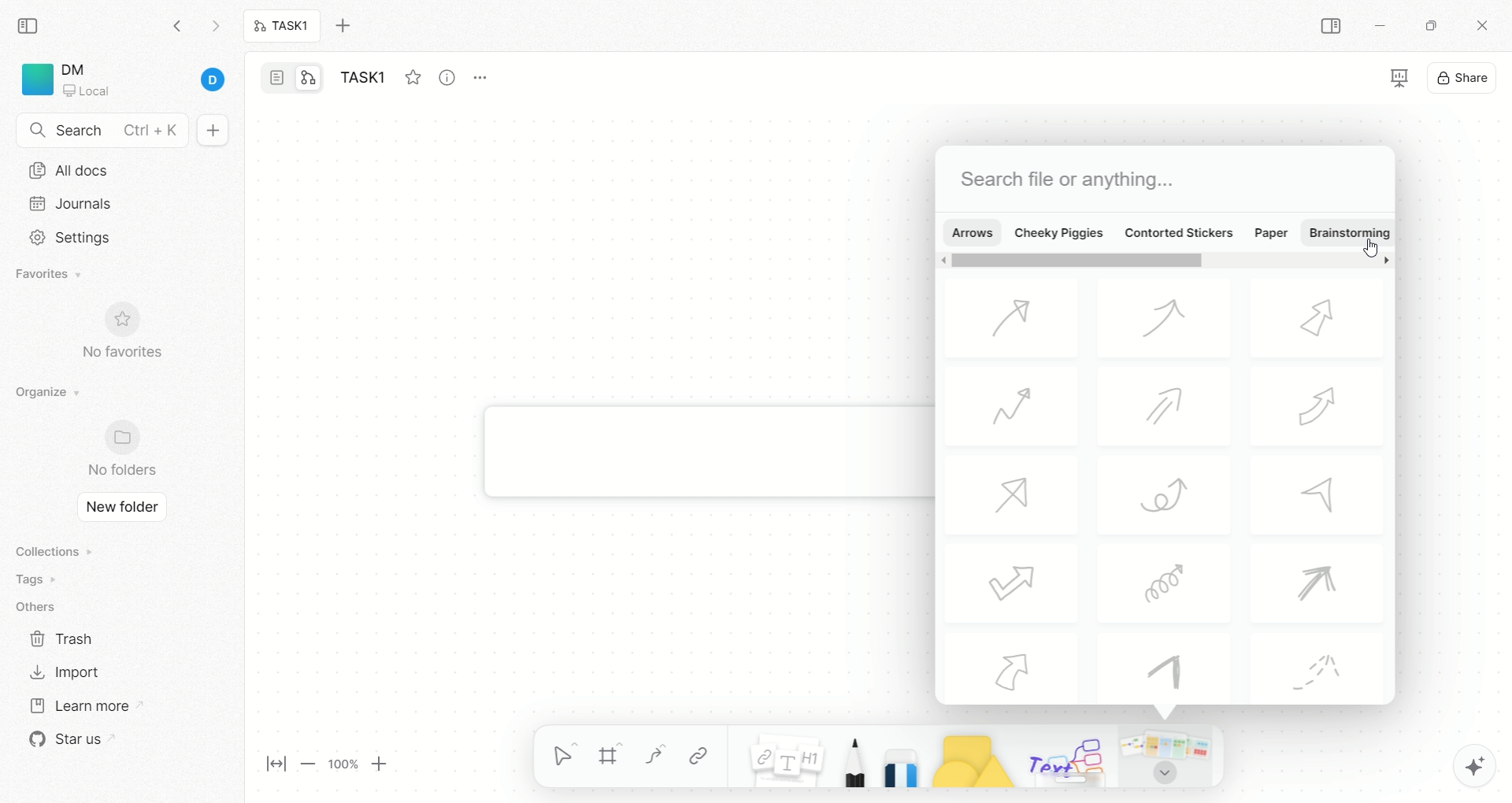  What do you see at coordinates (51, 276) in the screenshot?
I see `favorites` at bounding box center [51, 276].